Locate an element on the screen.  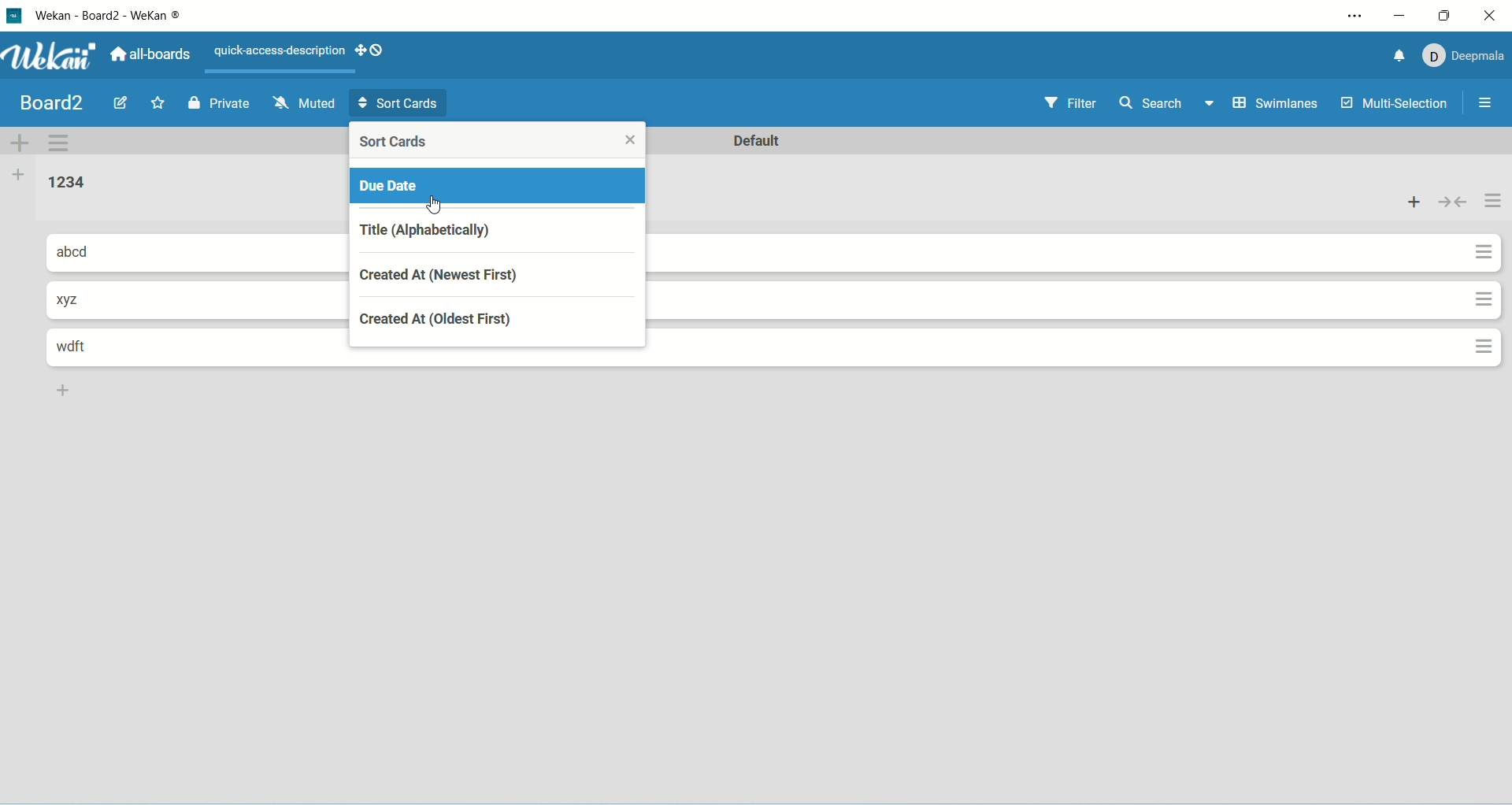
search is located at coordinates (1166, 105).